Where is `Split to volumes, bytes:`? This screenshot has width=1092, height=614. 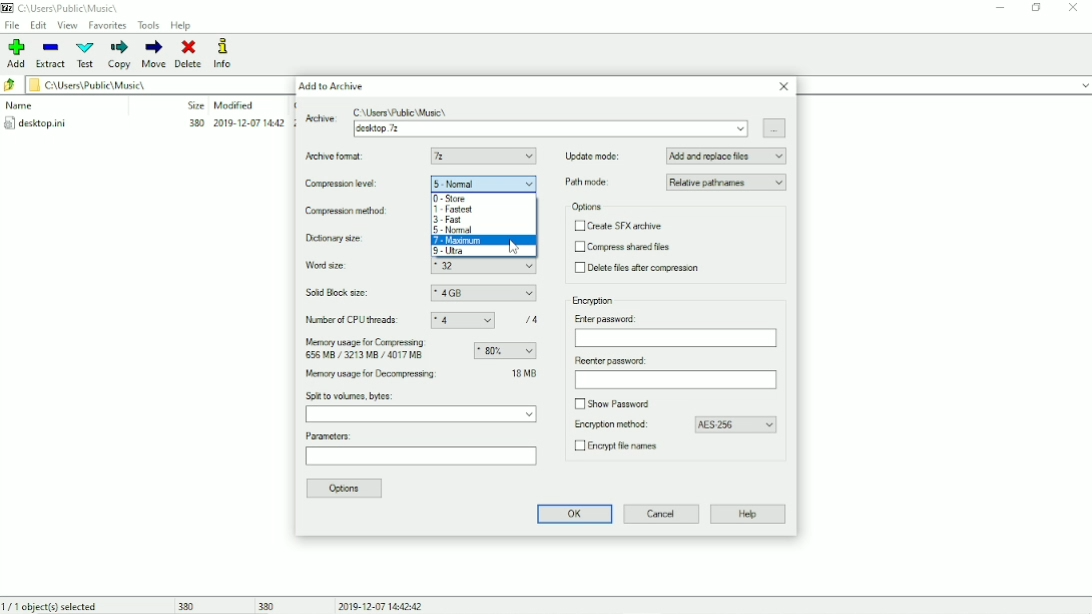
Split to volumes, bytes: is located at coordinates (351, 396).